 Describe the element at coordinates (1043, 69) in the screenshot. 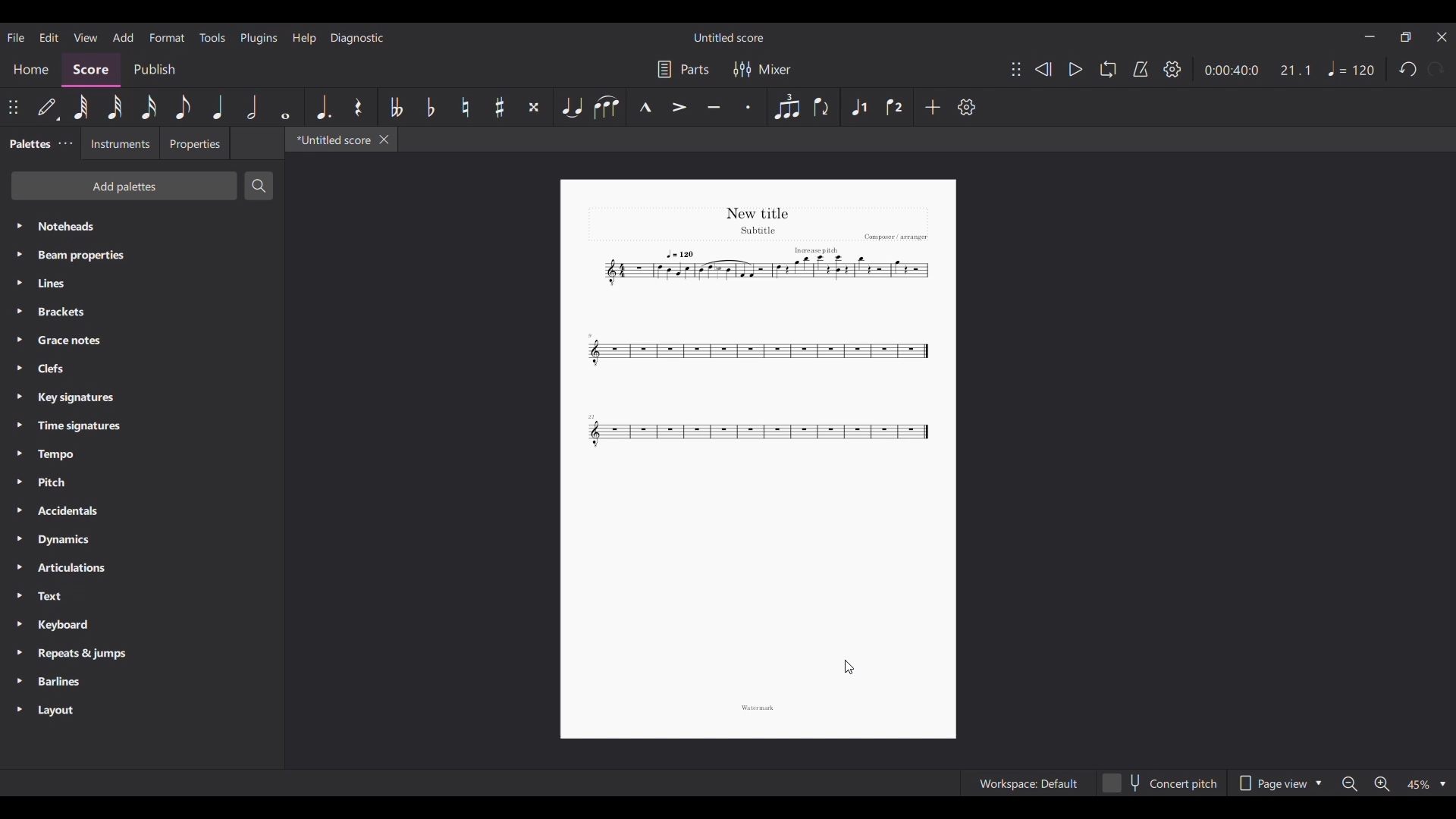

I see `Rewind` at that location.